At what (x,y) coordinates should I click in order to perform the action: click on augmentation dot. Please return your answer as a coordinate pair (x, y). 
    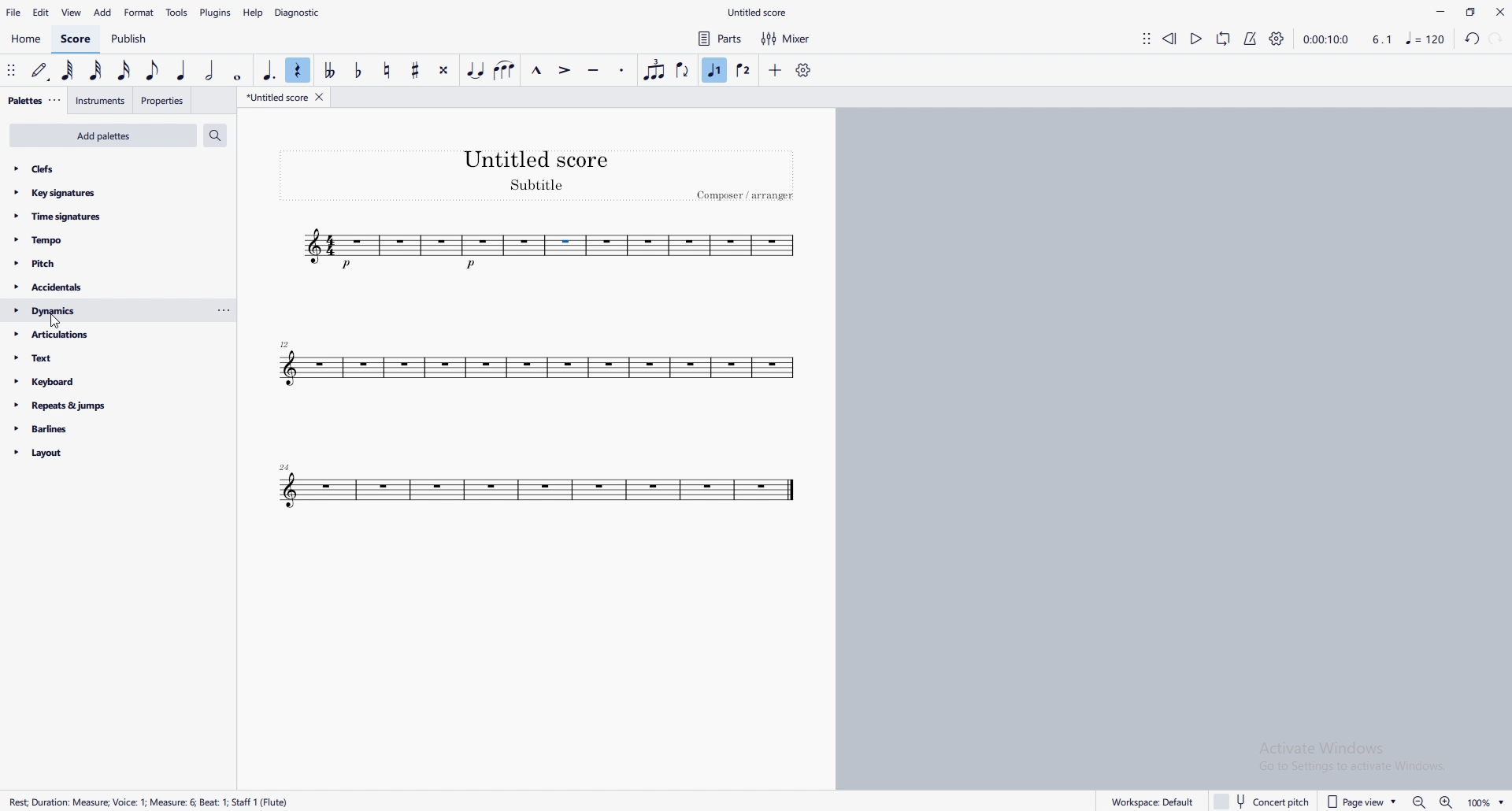
    Looking at the image, I should click on (269, 71).